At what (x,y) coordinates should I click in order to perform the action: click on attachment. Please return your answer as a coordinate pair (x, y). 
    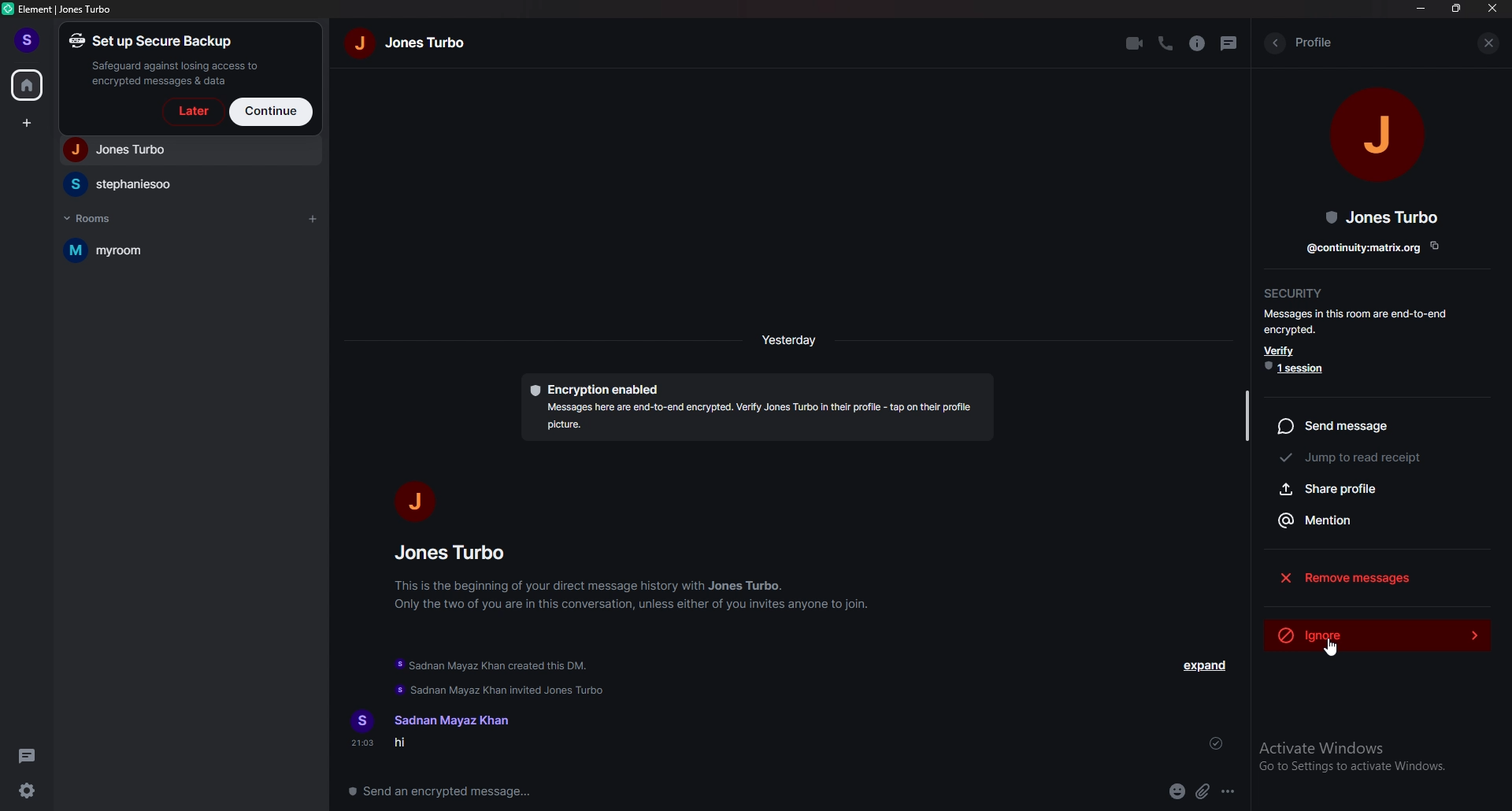
    Looking at the image, I should click on (1204, 791).